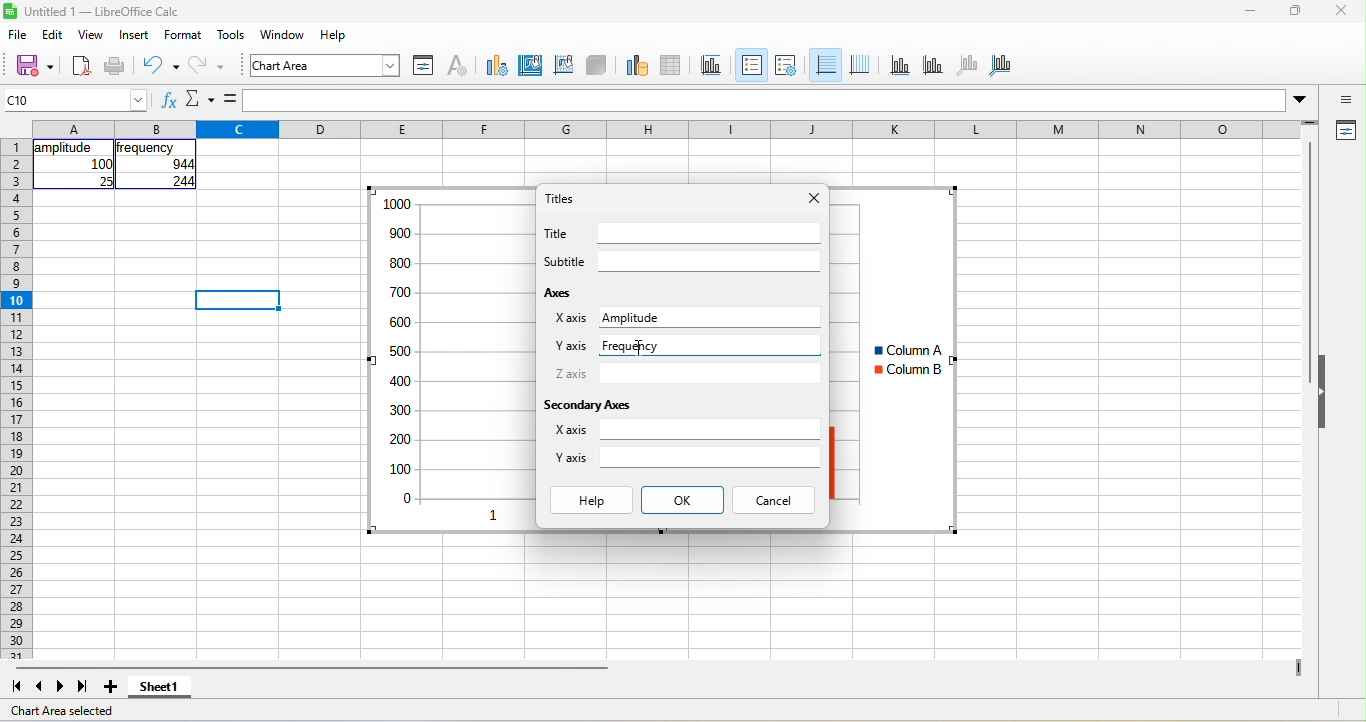 The height and width of the screenshot is (722, 1366). Describe the element at coordinates (666, 129) in the screenshot. I see `column headings` at that location.